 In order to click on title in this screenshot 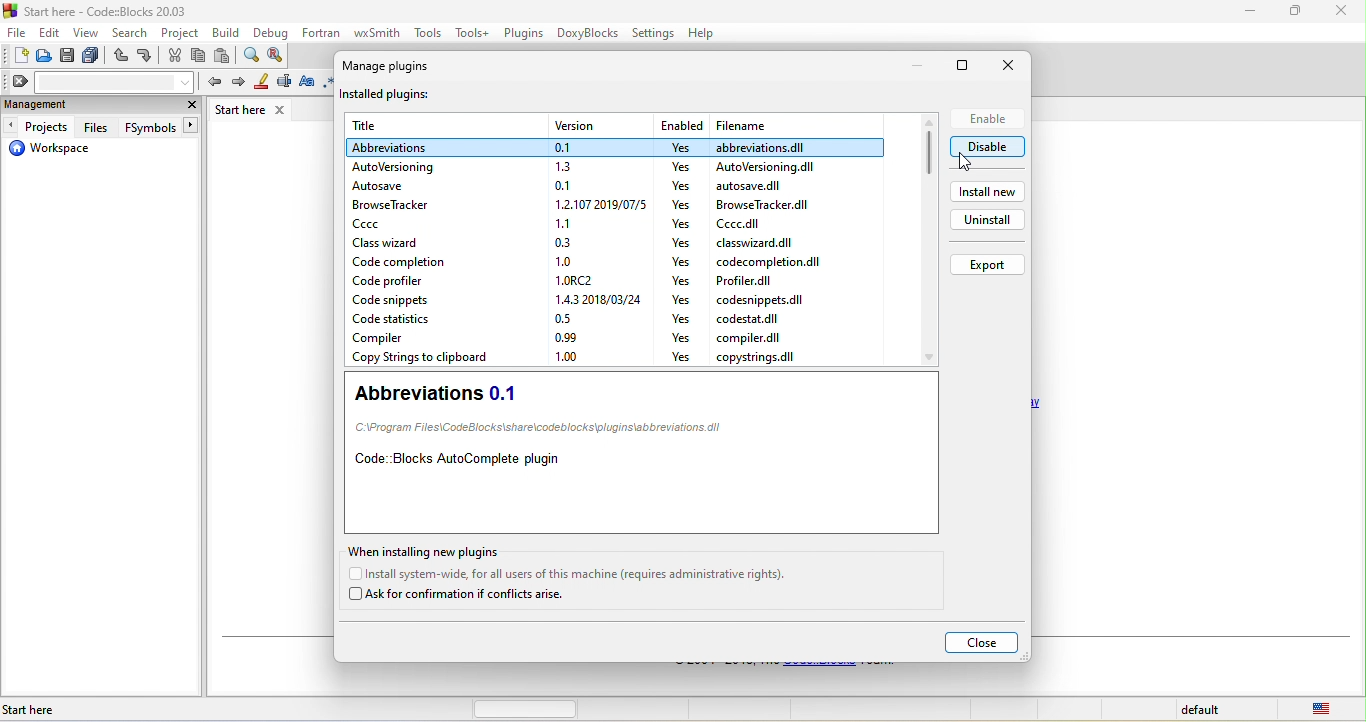, I will do `click(432, 126)`.